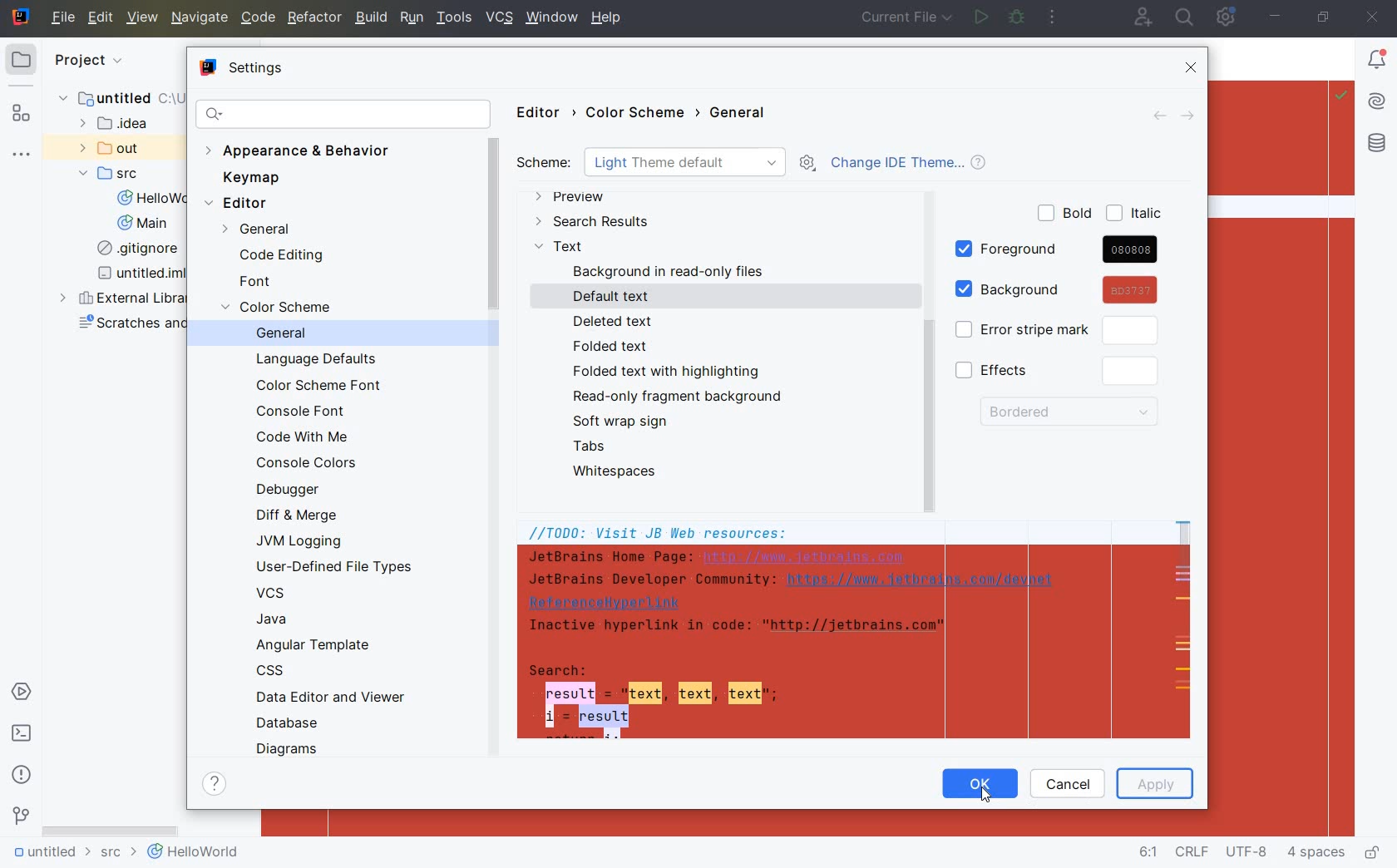 The image size is (1397, 868). I want to click on out, so click(109, 148).